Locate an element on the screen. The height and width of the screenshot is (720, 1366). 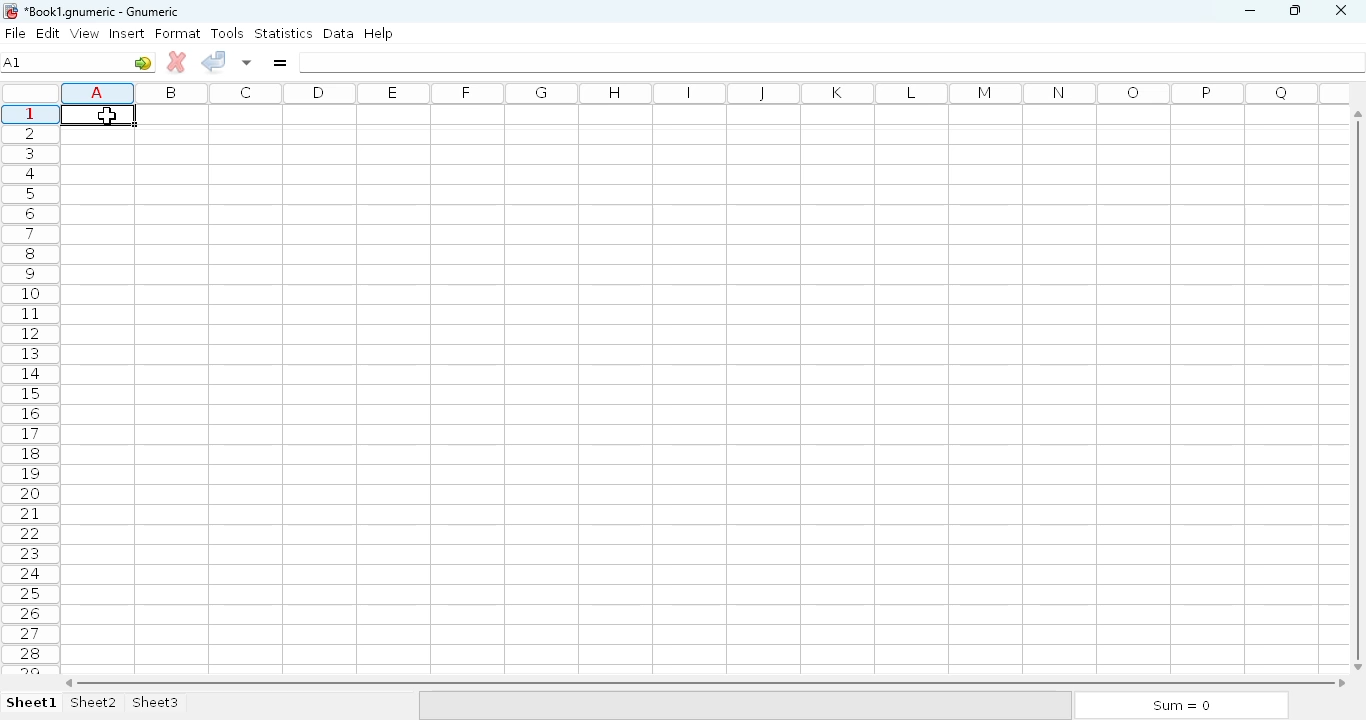
title is located at coordinates (103, 12).